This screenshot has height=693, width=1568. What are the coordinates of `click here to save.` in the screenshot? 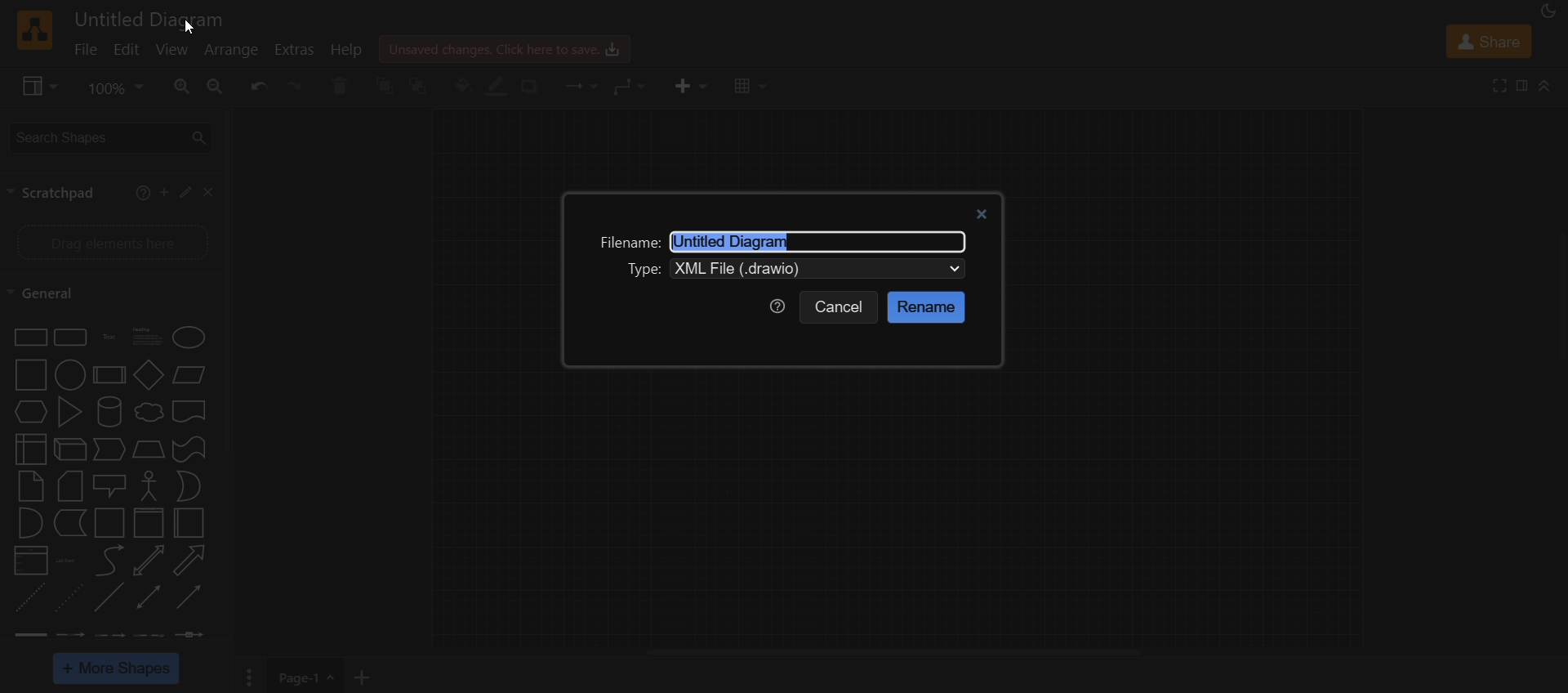 It's located at (503, 47).